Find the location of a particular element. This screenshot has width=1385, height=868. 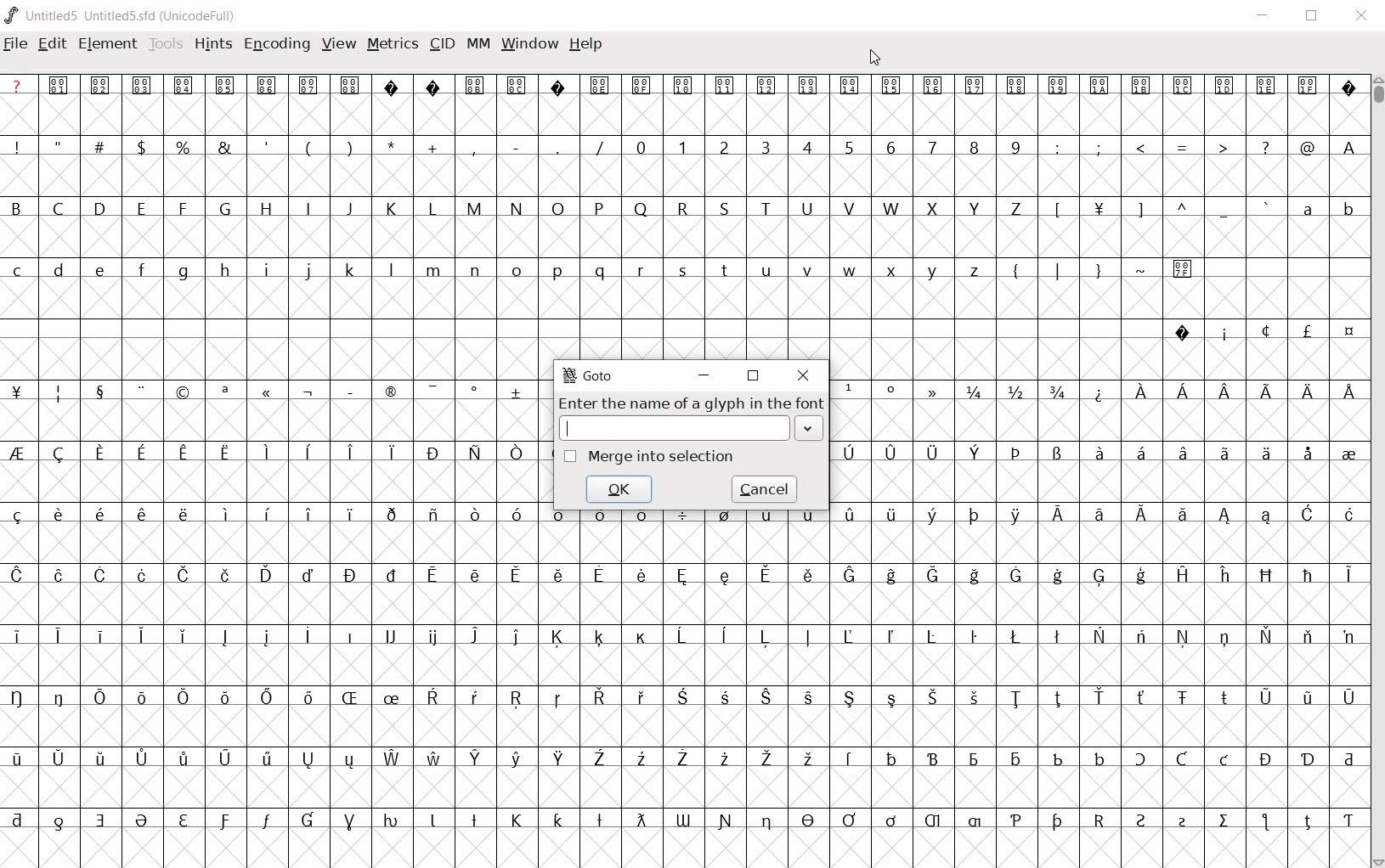

Symbol is located at coordinates (1184, 519).